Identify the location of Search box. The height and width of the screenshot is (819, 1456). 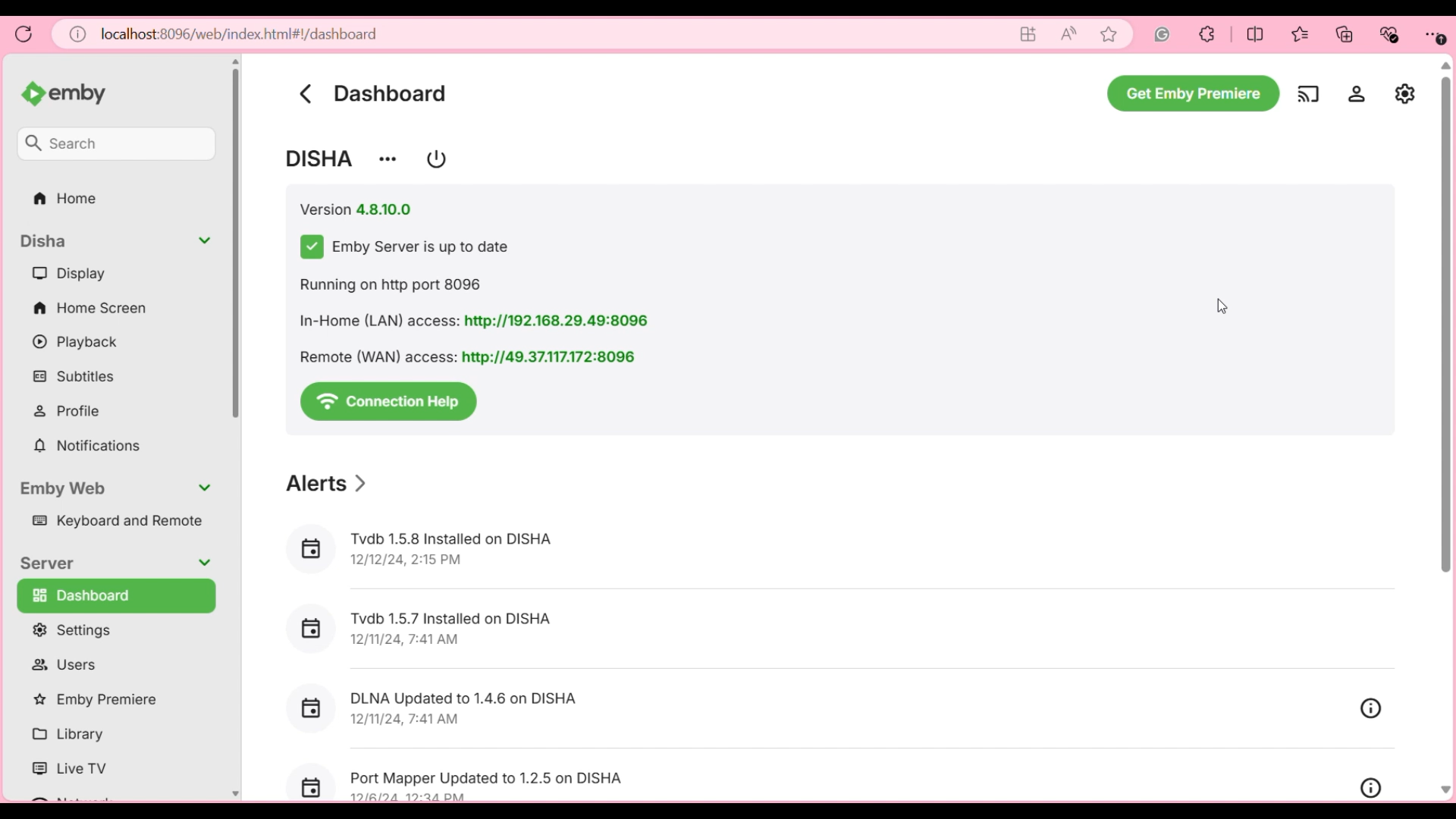
(118, 143).